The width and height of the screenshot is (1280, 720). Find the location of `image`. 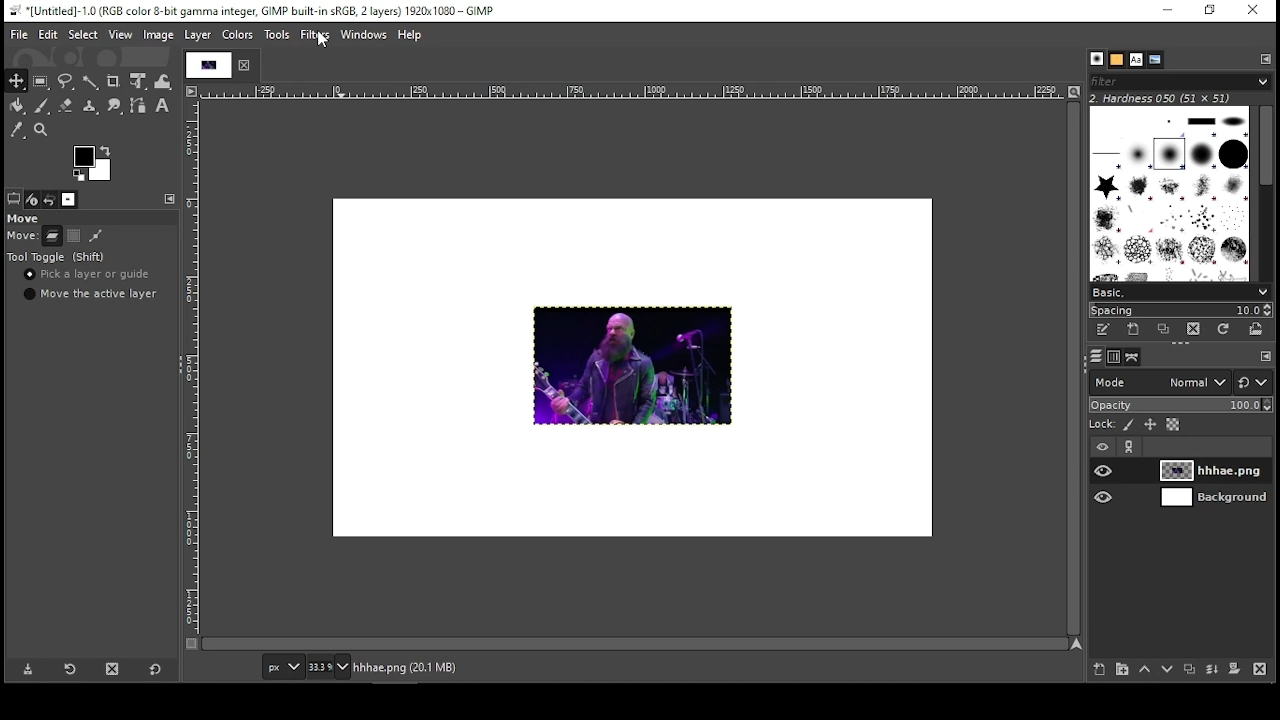

image is located at coordinates (632, 366).